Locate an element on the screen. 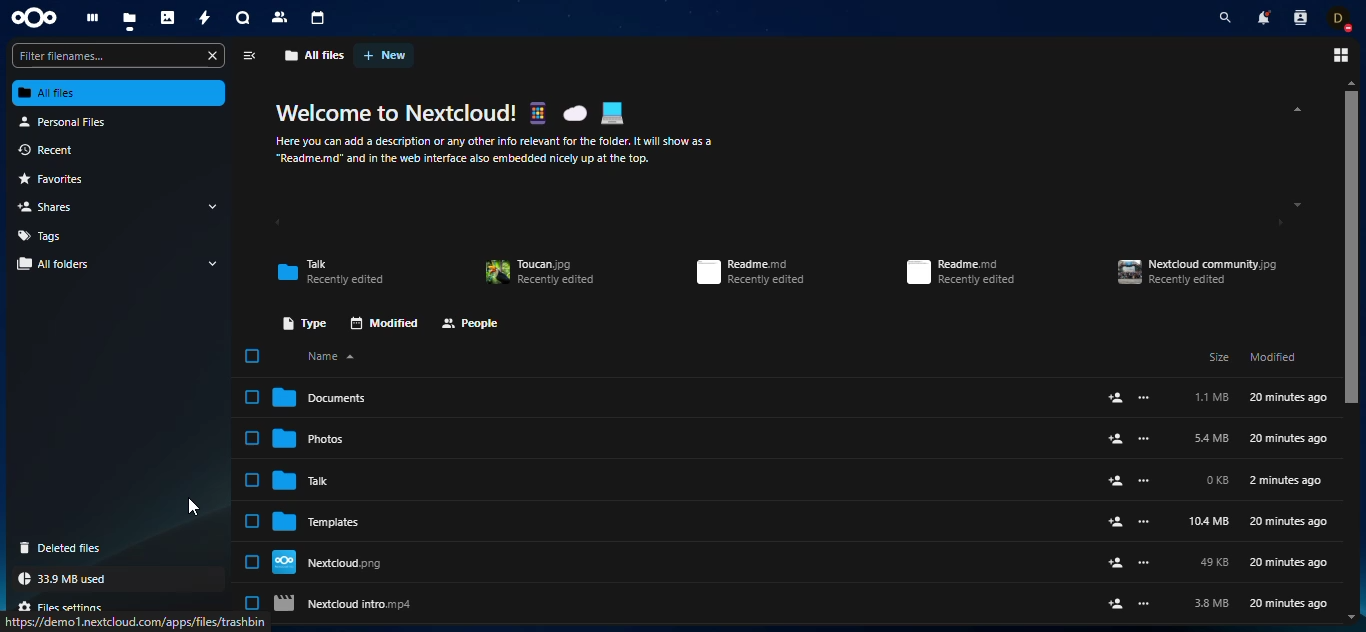 Image resolution: width=1366 pixels, height=632 pixels. Nextcloud community.jpg Recently Edited is located at coordinates (1199, 270).